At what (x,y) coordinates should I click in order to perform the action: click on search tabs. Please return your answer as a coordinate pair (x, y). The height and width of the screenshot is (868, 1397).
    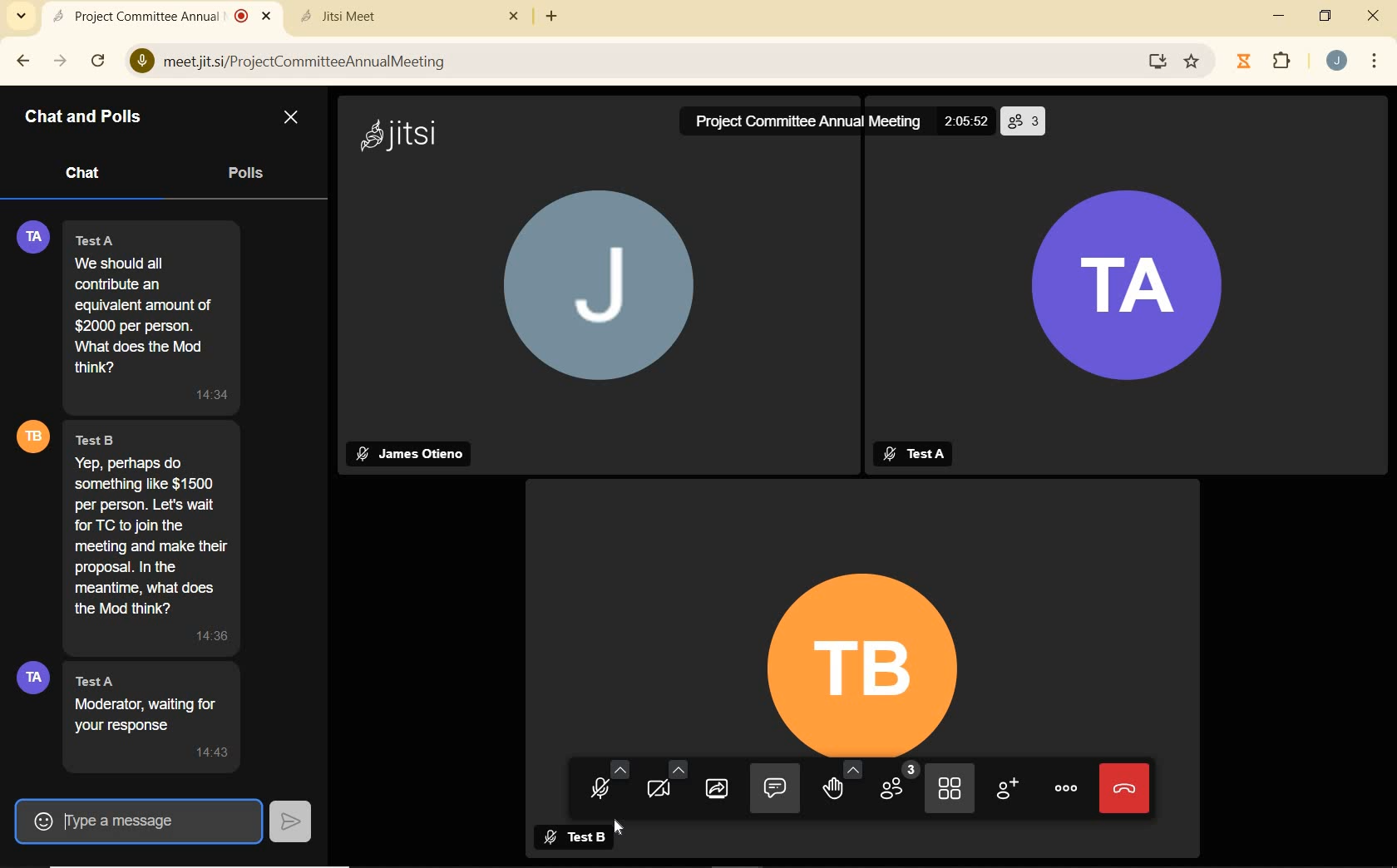
    Looking at the image, I should click on (22, 17).